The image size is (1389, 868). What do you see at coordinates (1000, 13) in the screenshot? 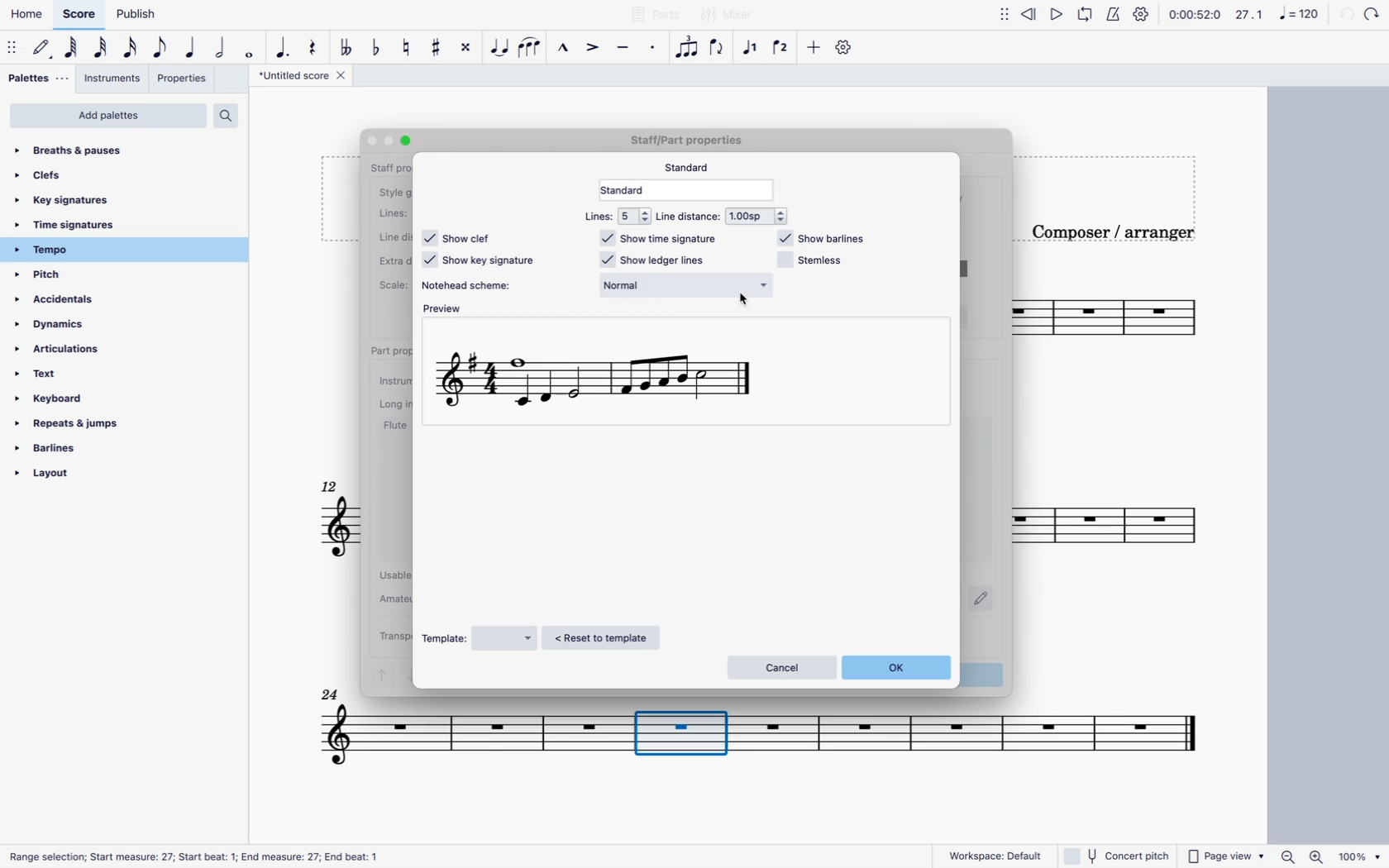
I see `move` at bounding box center [1000, 13].